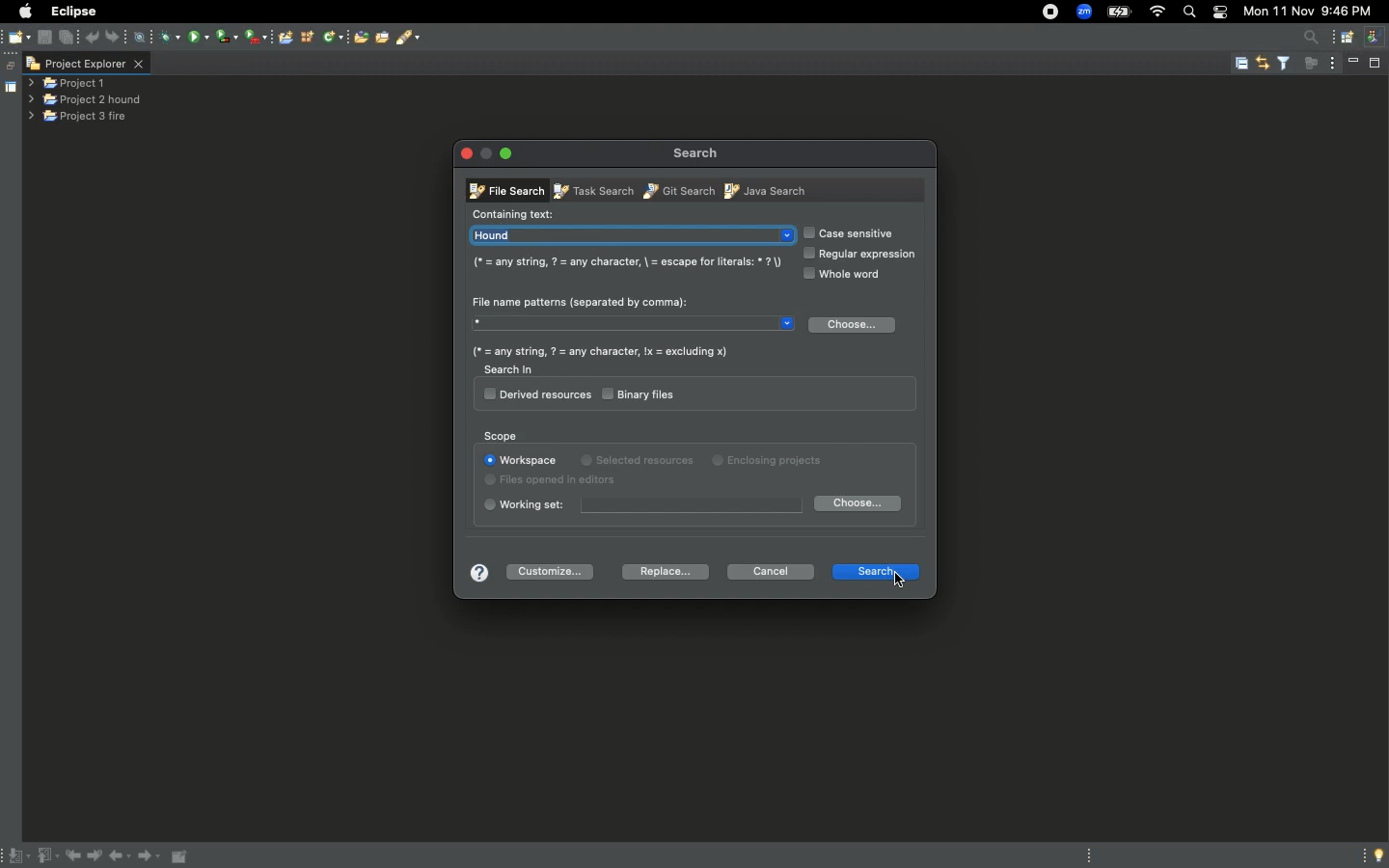 The width and height of the screenshot is (1389, 868). What do you see at coordinates (1261, 63) in the screenshot?
I see `link with editor` at bounding box center [1261, 63].